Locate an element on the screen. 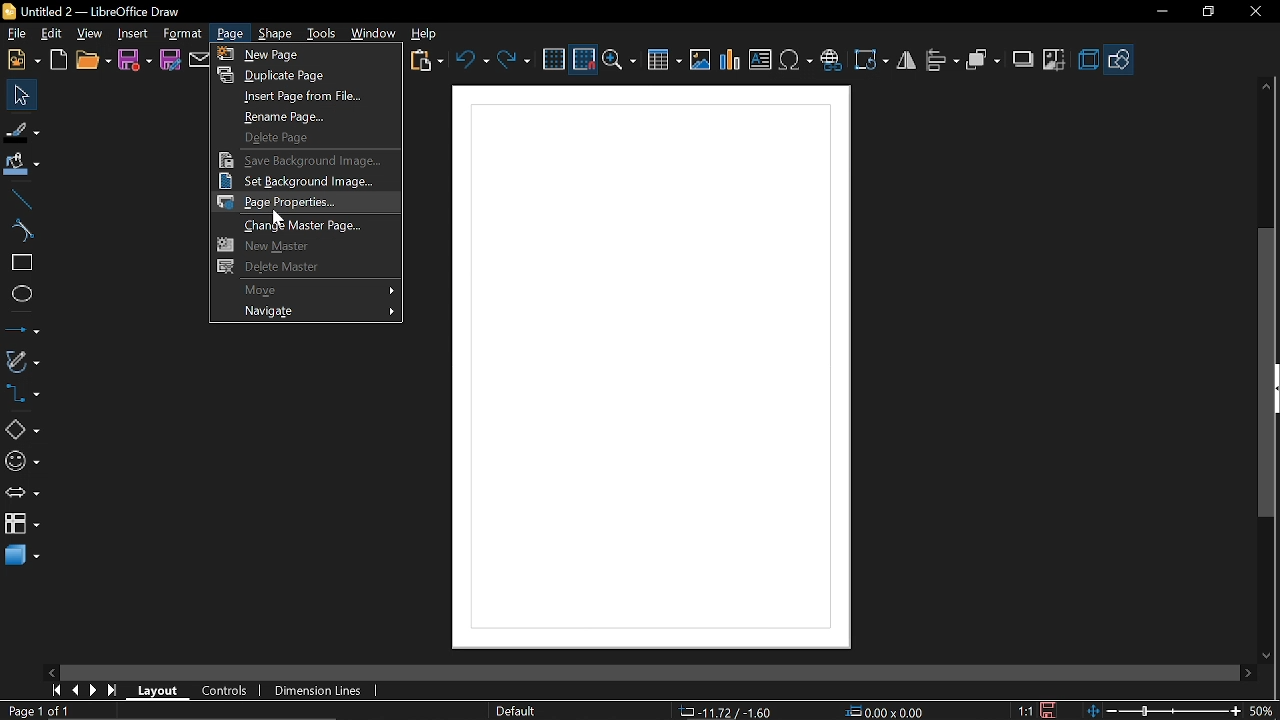 This screenshot has width=1280, height=720. Attach is located at coordinates (201, 60).